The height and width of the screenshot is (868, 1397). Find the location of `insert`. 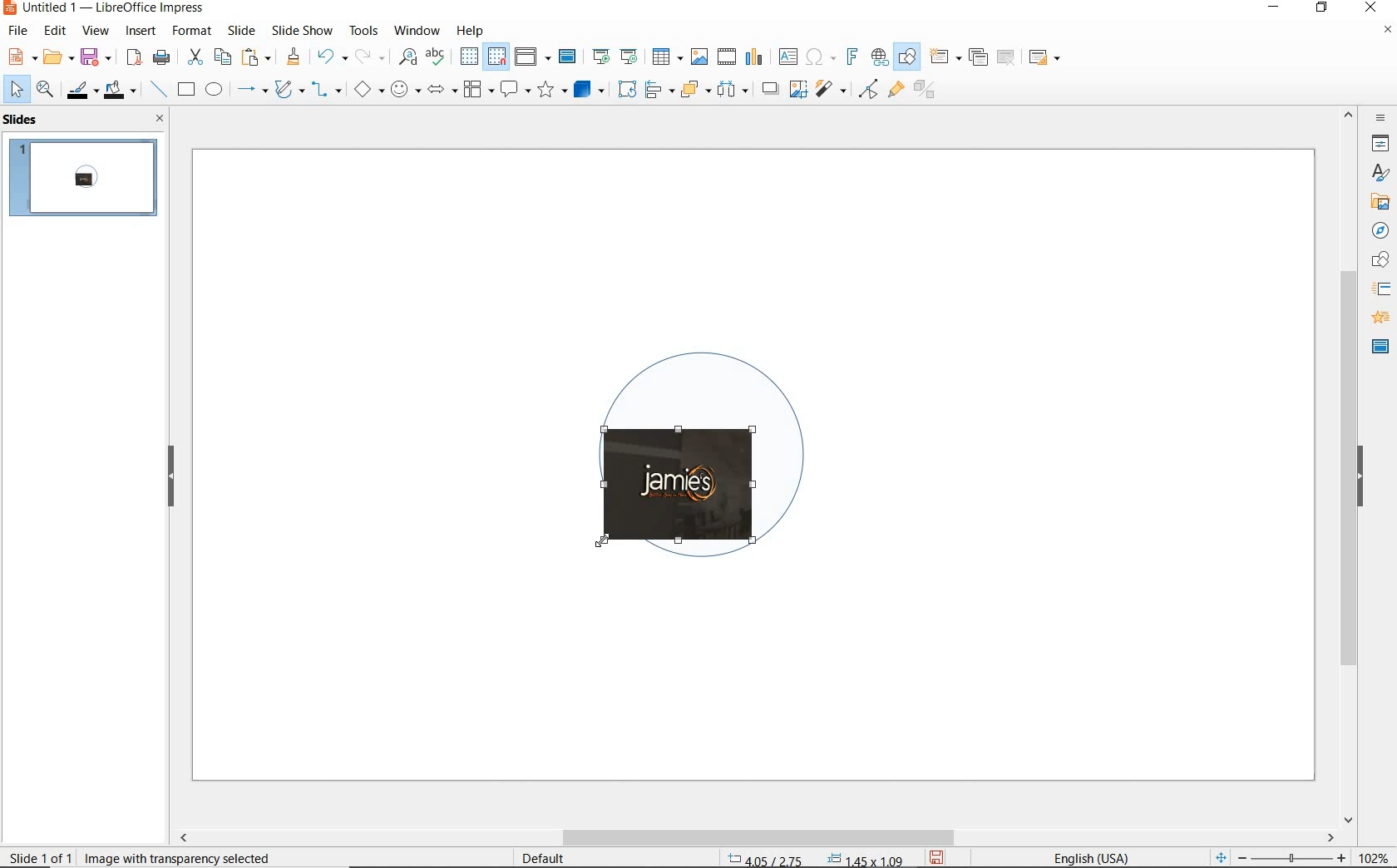

insert is located at coordinates (141, 32).